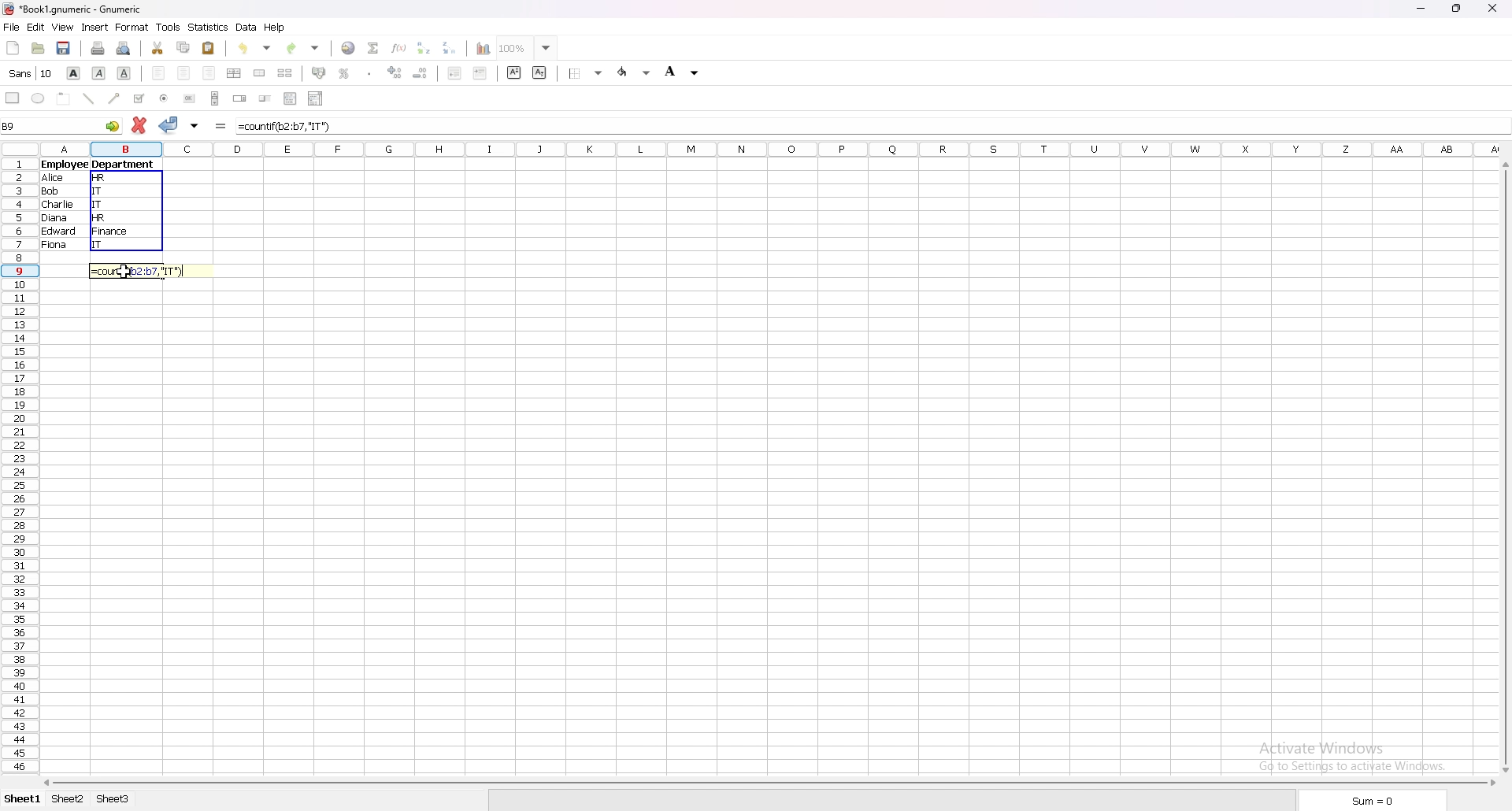  Describe the element at coordinates (159, 72) in the screenshot. I see `left align` at that location.